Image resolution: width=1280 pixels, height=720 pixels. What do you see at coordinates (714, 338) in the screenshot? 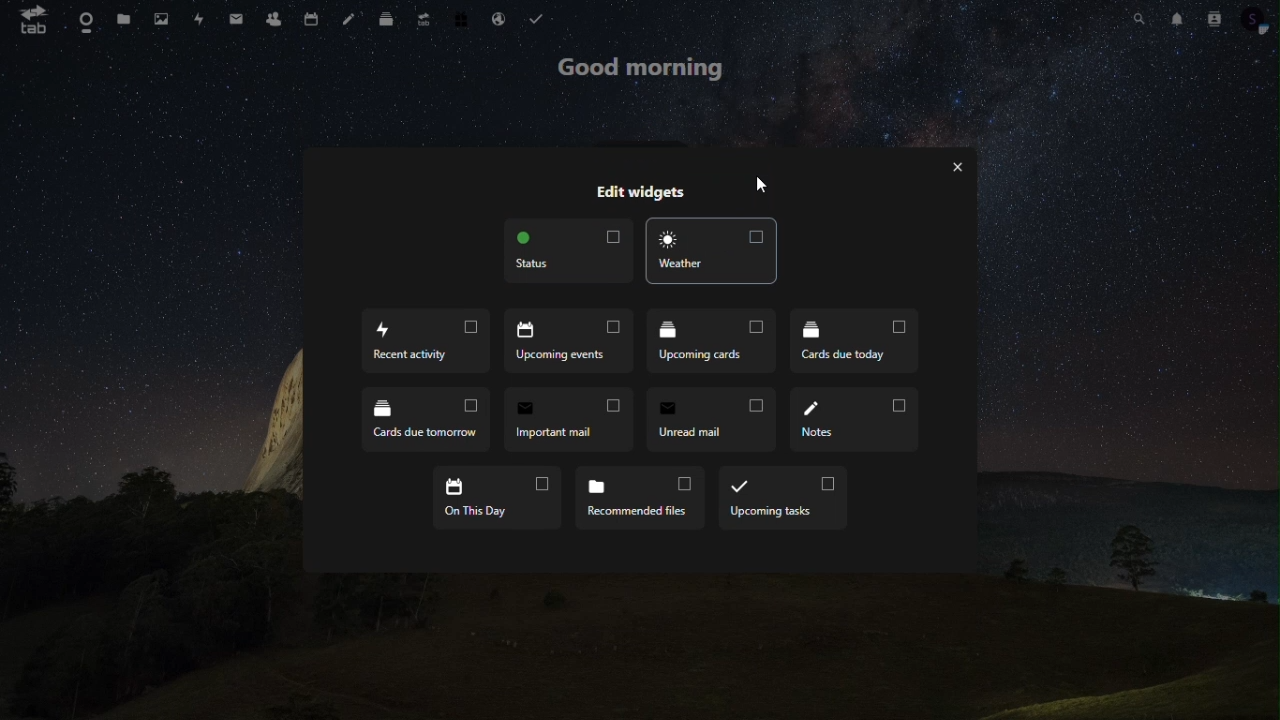
I see `upcoming cards` at bounding box center [714, 338].